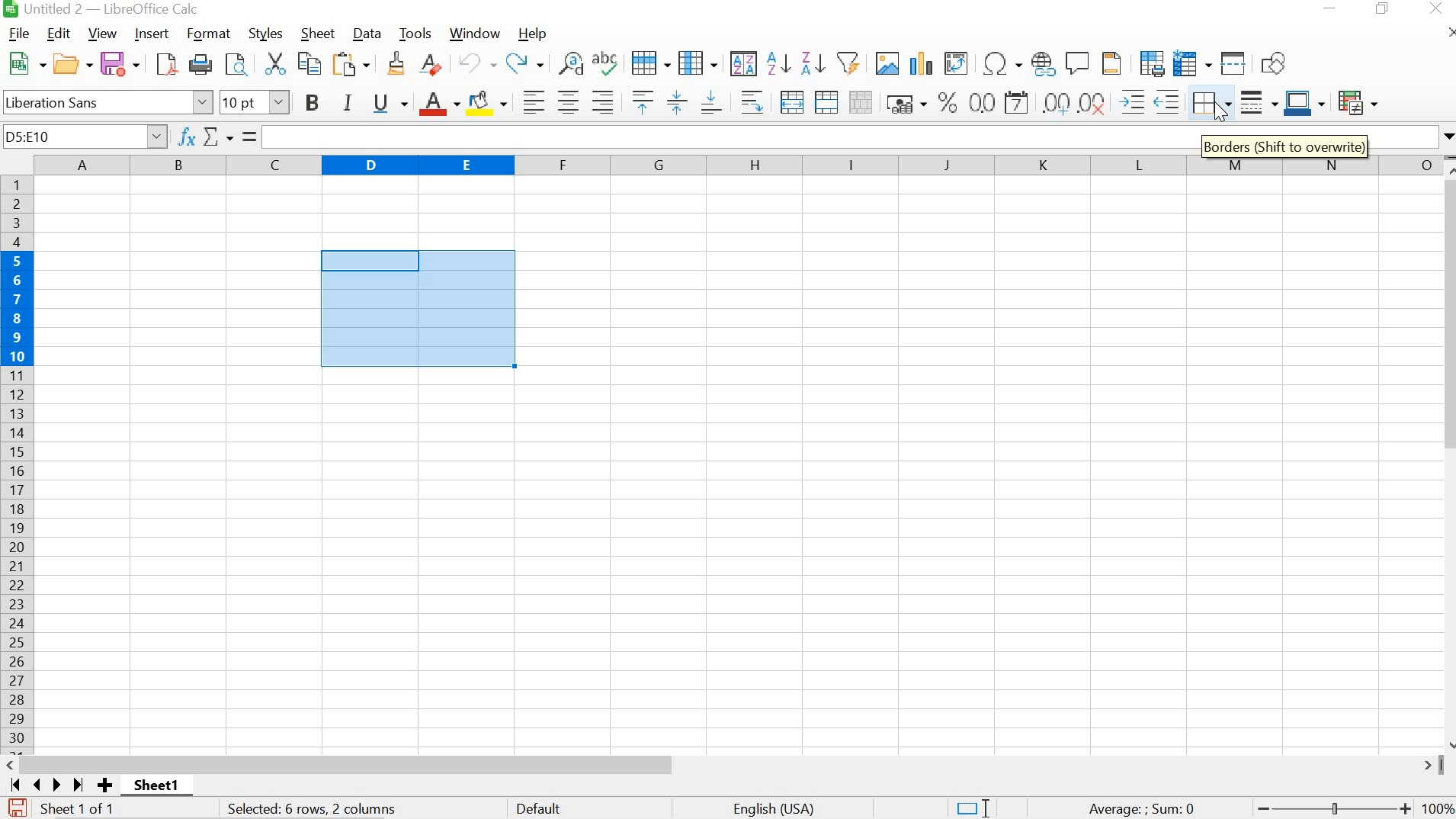 This screenshot has height=819, width=1456. I want to click on insert chart, so click(922, 63).